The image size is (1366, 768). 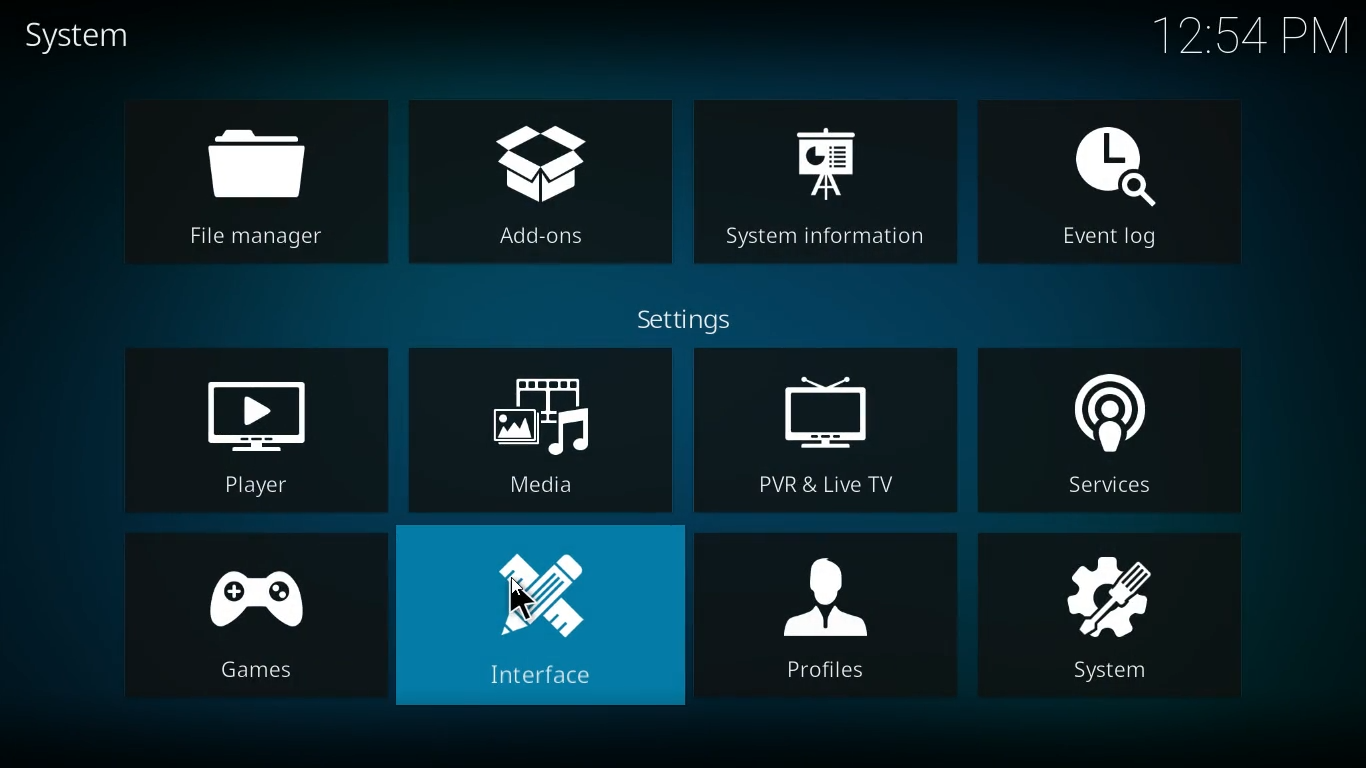 What do you see at coordinates (1124, 179) in the screenshot?
I see `event log` at bounding box center [1124, 179].